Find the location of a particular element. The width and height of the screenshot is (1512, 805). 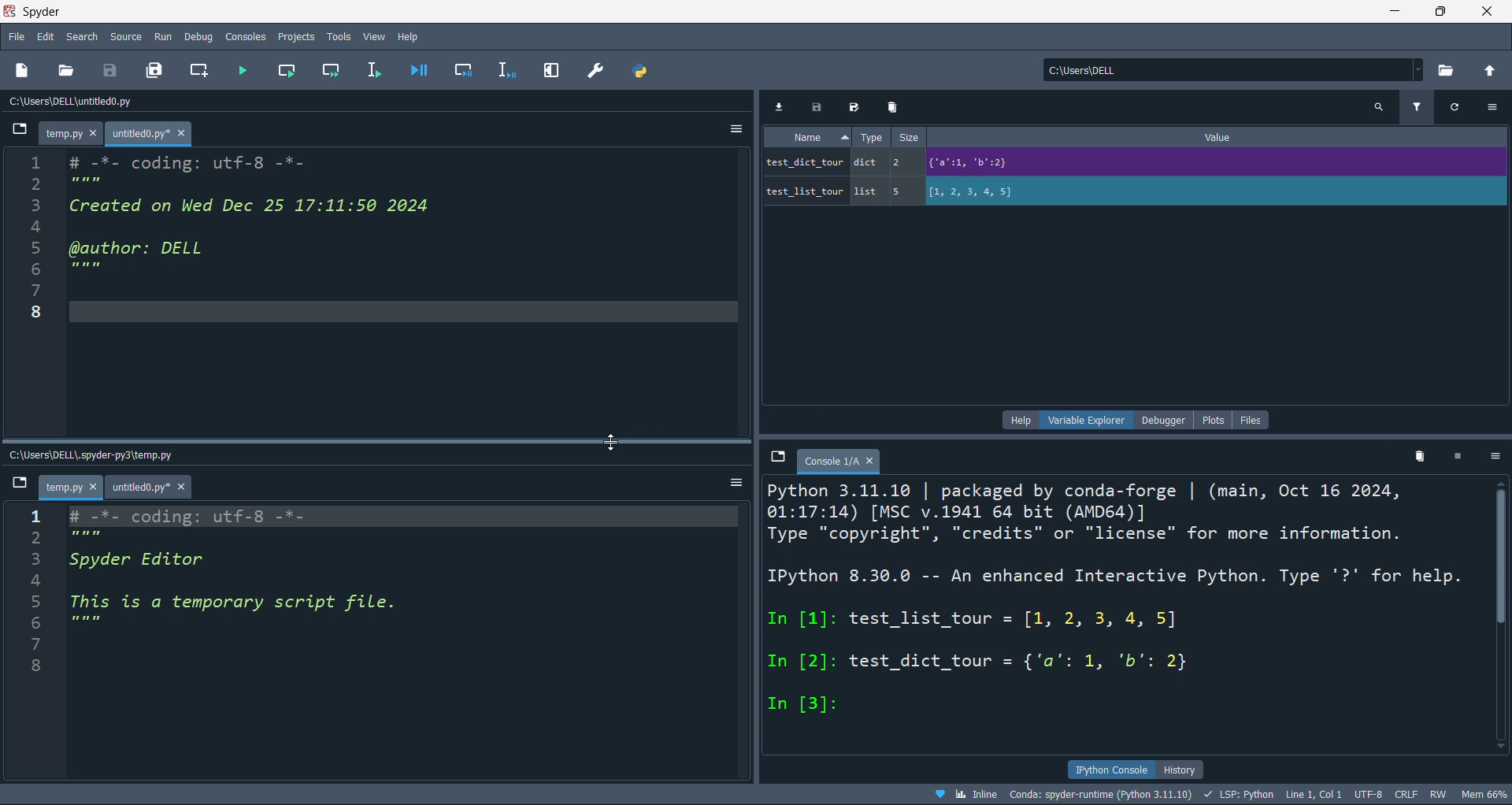

open directory is located at coordinates (1493, 71).